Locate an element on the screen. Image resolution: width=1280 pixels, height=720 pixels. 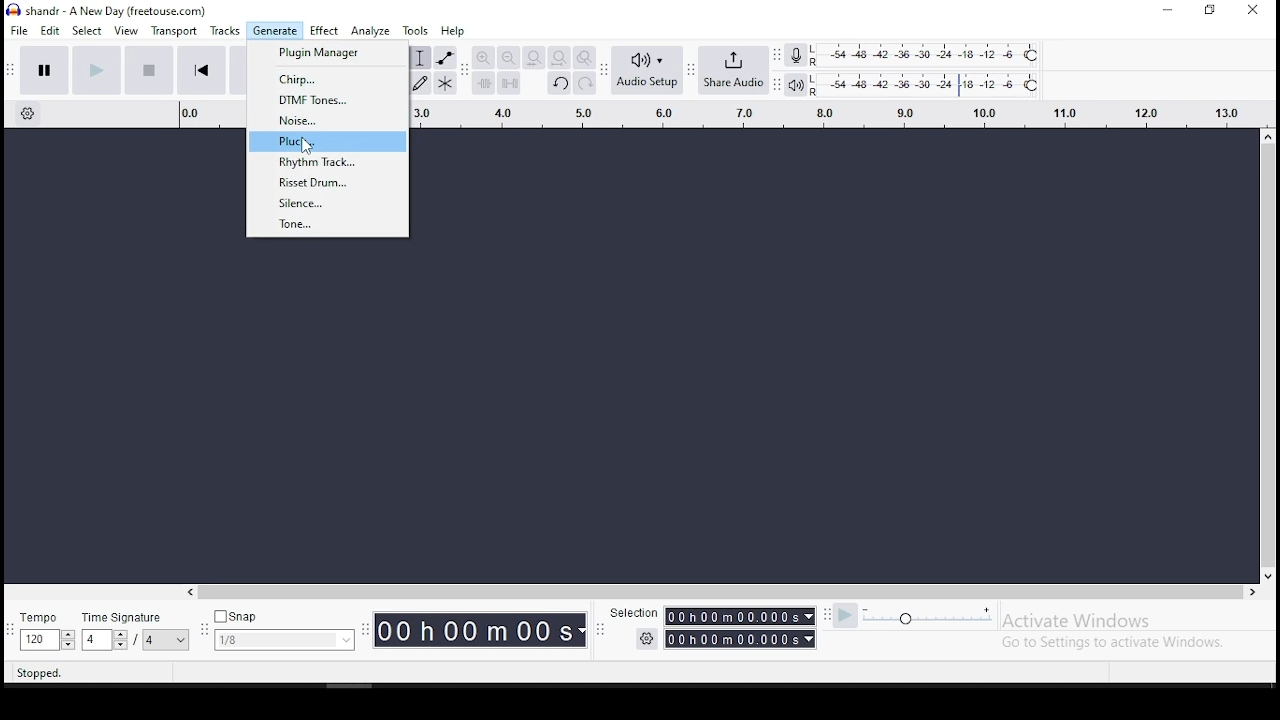
tracks is located at coordinates (224, 31).